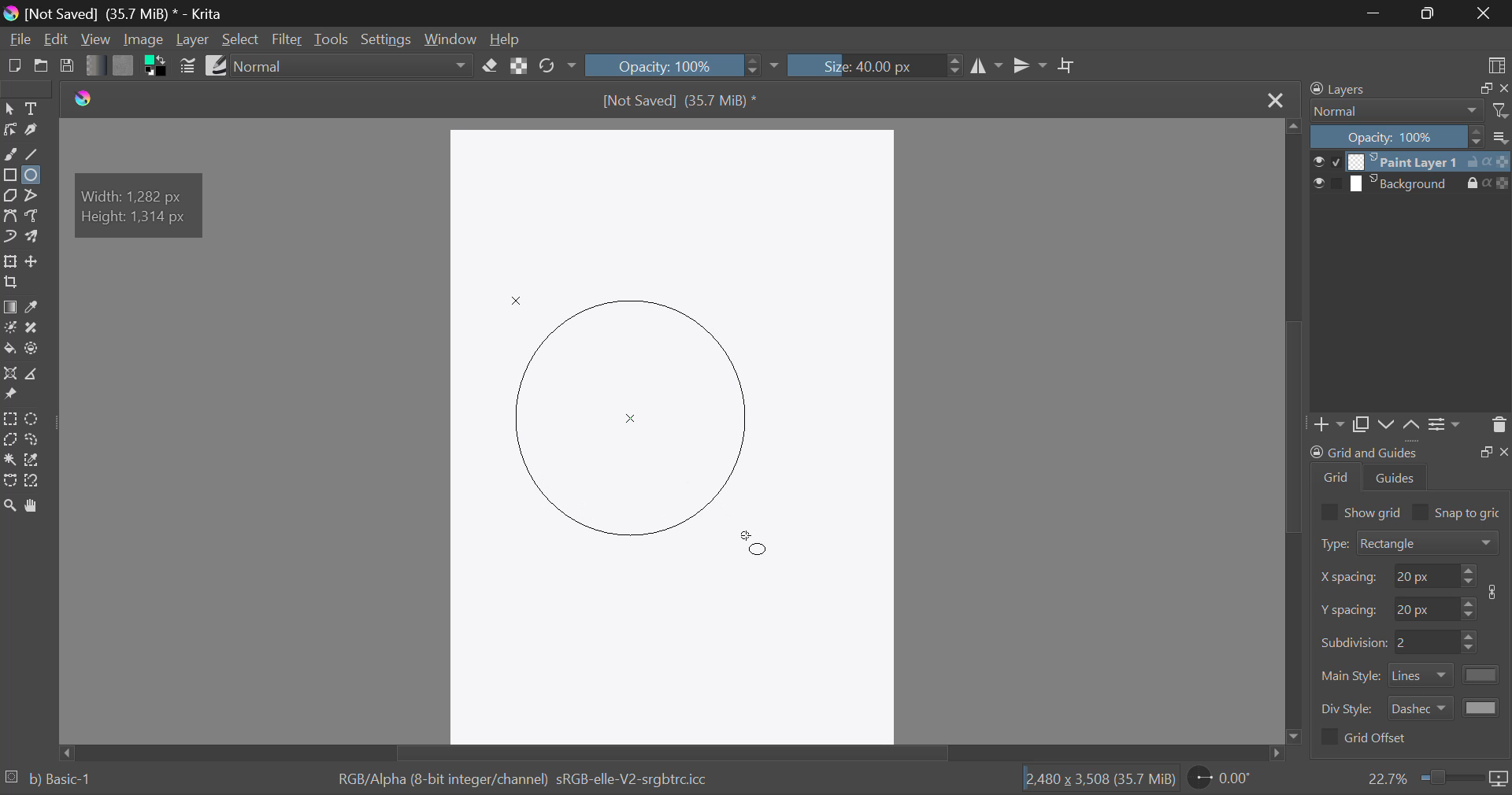  I want to click on move left, so click(64, 750).